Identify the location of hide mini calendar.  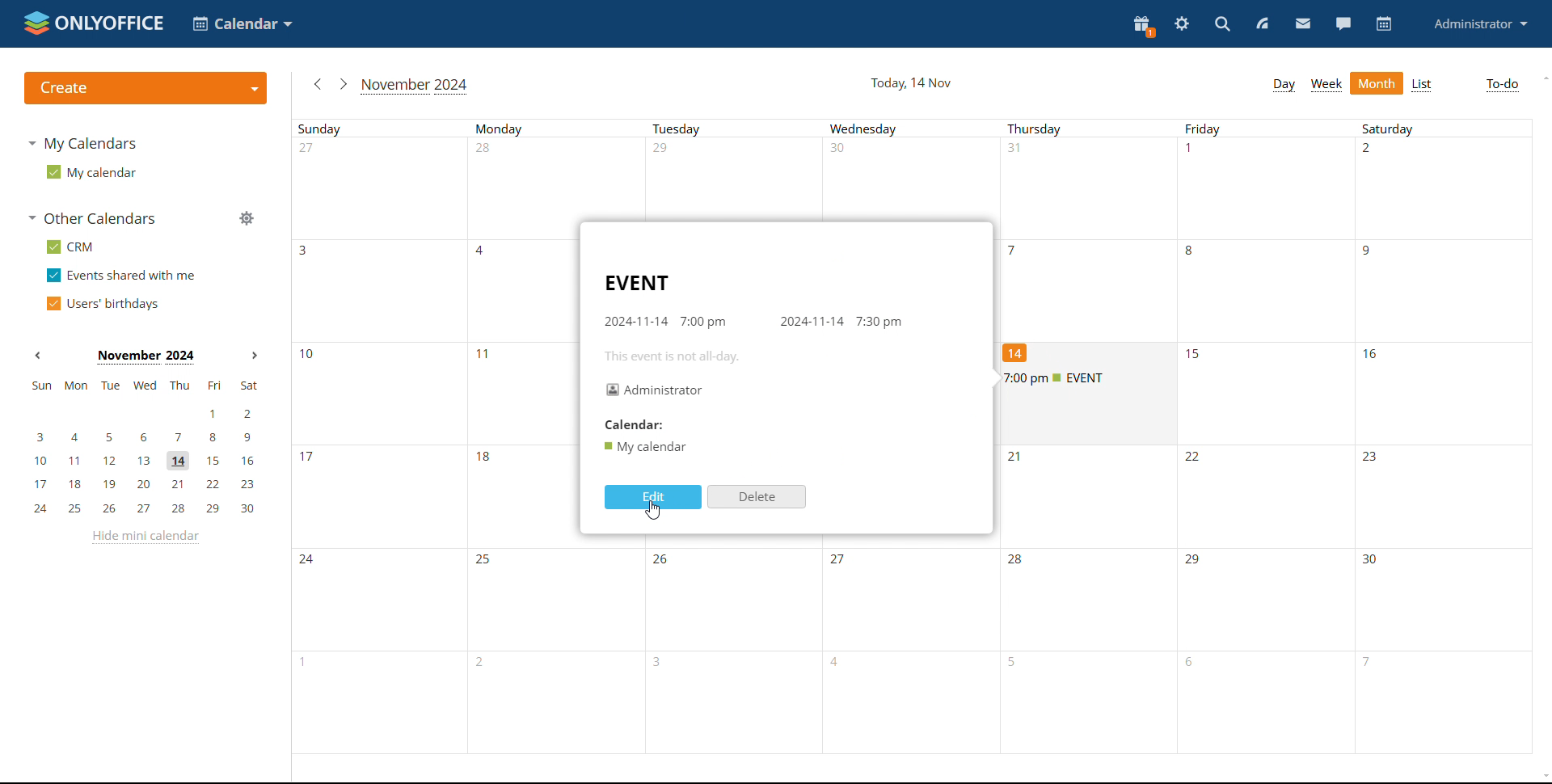
(145, 537).